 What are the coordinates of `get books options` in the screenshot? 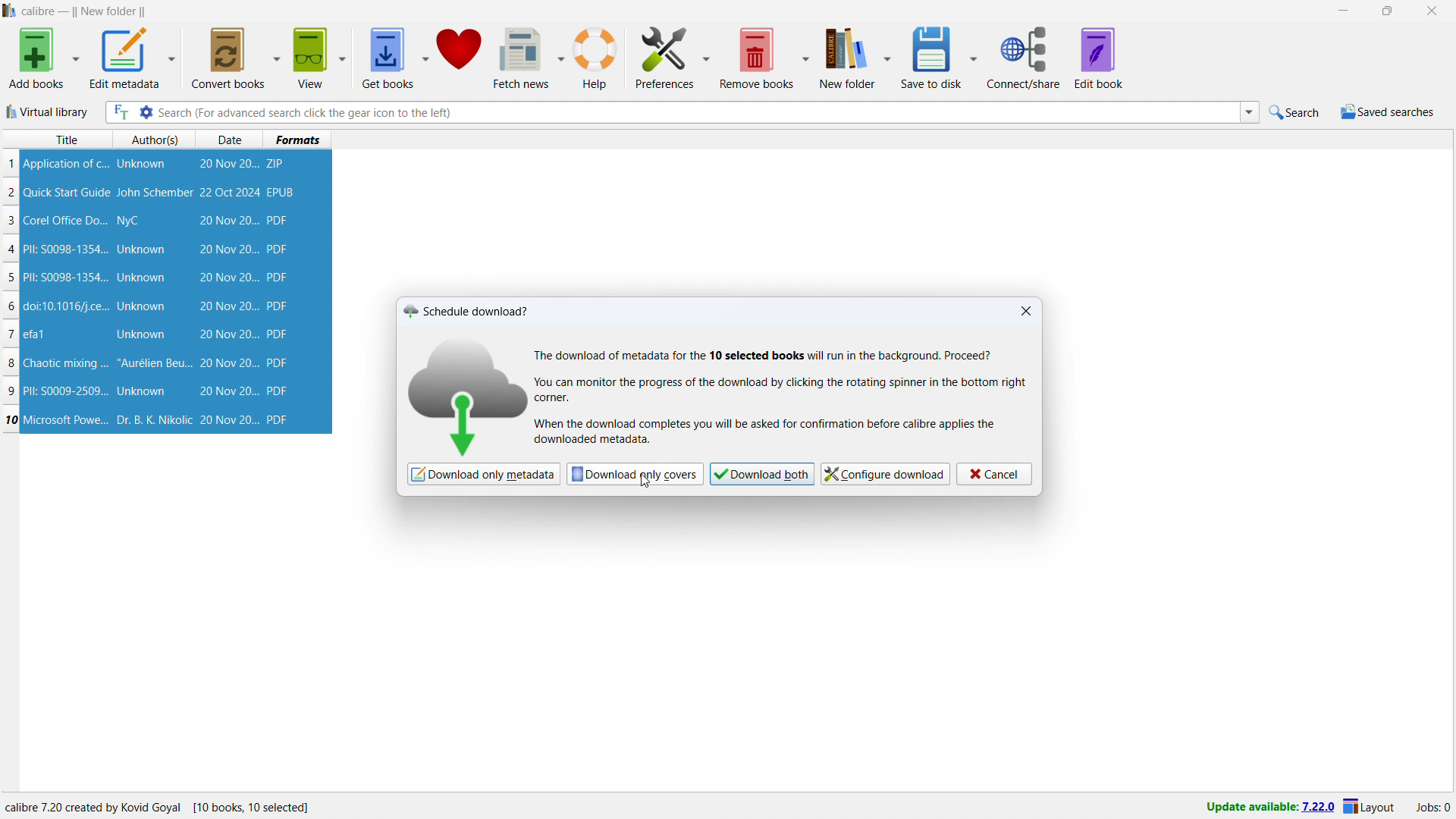 It's located at (425, 57).